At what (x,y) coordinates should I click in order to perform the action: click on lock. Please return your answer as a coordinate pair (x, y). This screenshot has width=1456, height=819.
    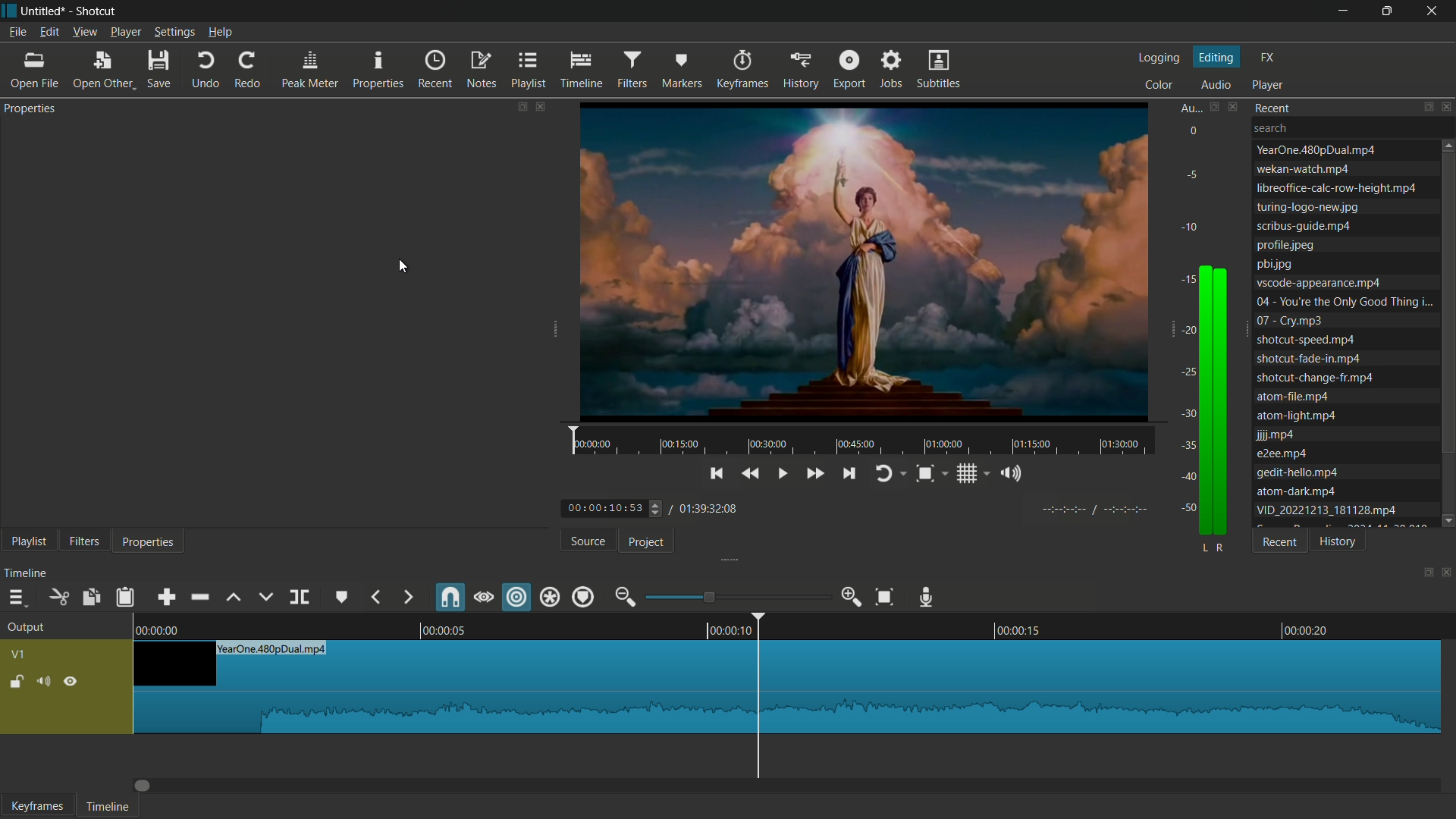
    Looking at the image, I should click on (16, 683).